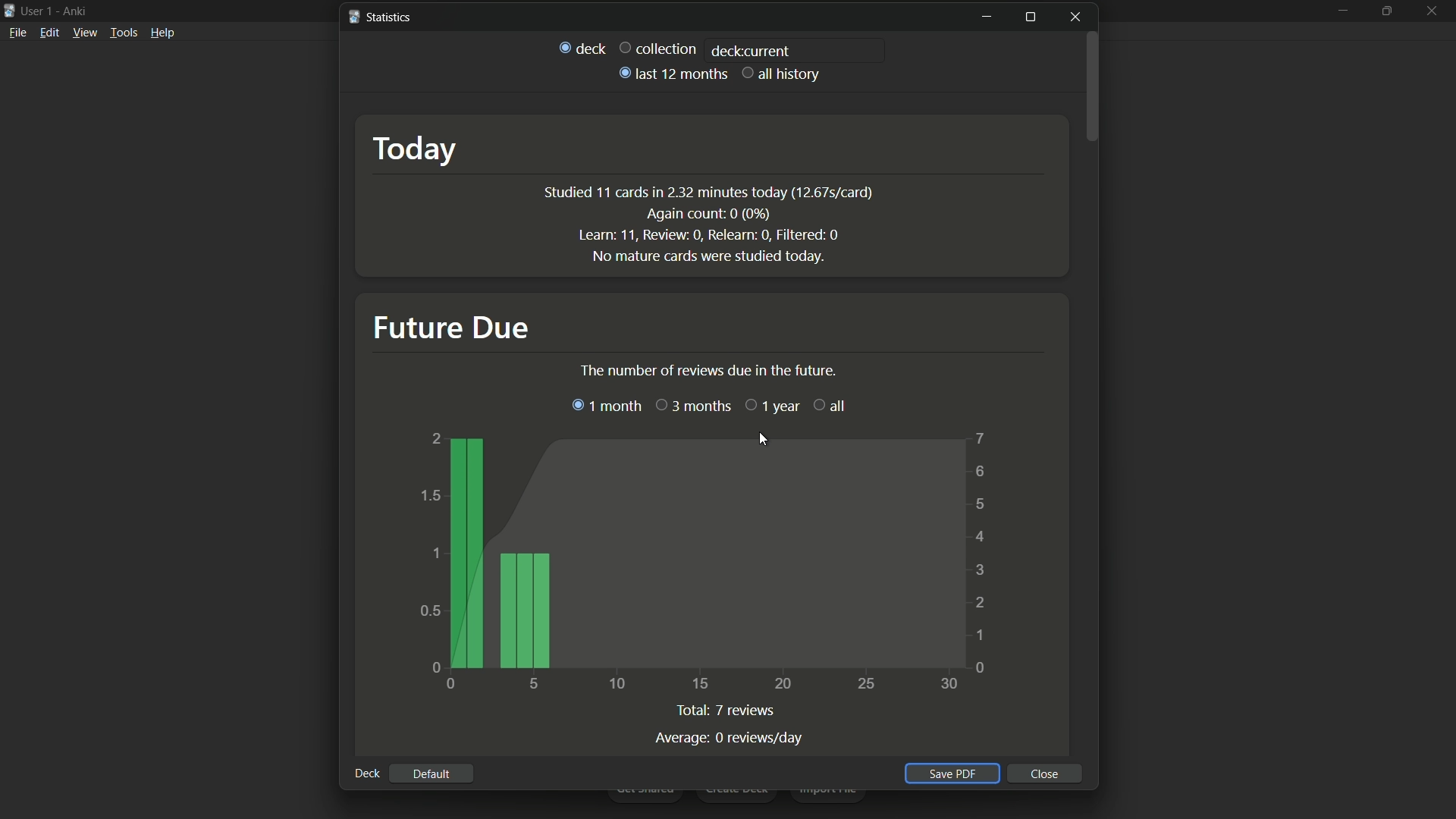  Describe the element at coordinates (420, 148) in the screenshot. I see `today` at that location.